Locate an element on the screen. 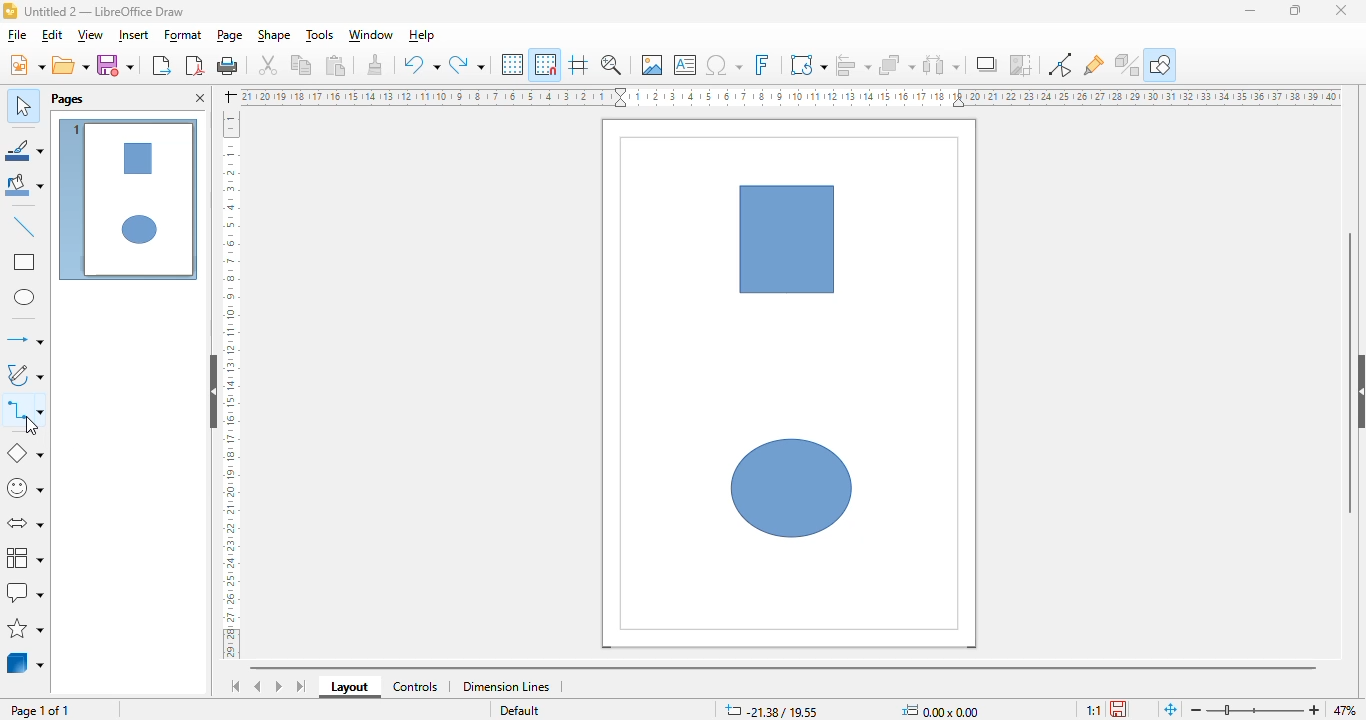  new is located at coordinates (27, 64).